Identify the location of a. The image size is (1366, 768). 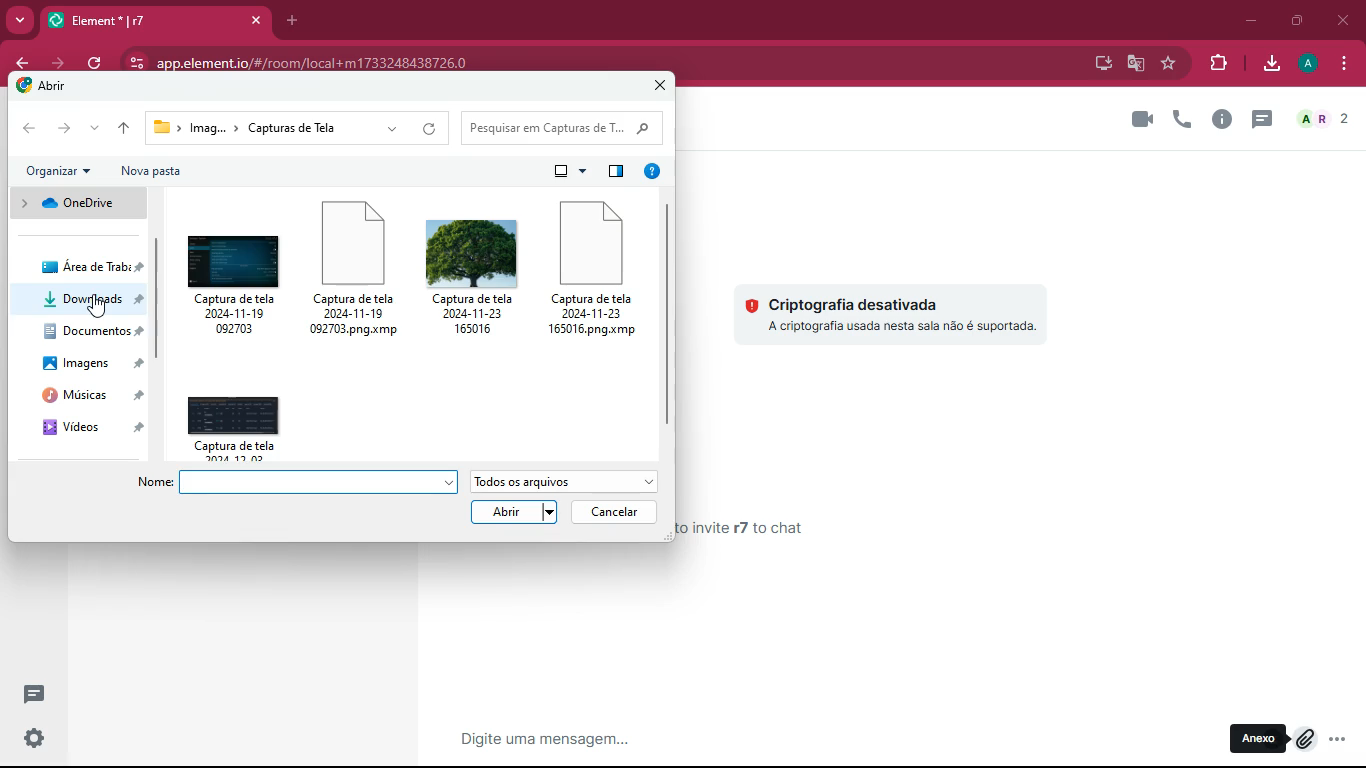
(1310, 63).